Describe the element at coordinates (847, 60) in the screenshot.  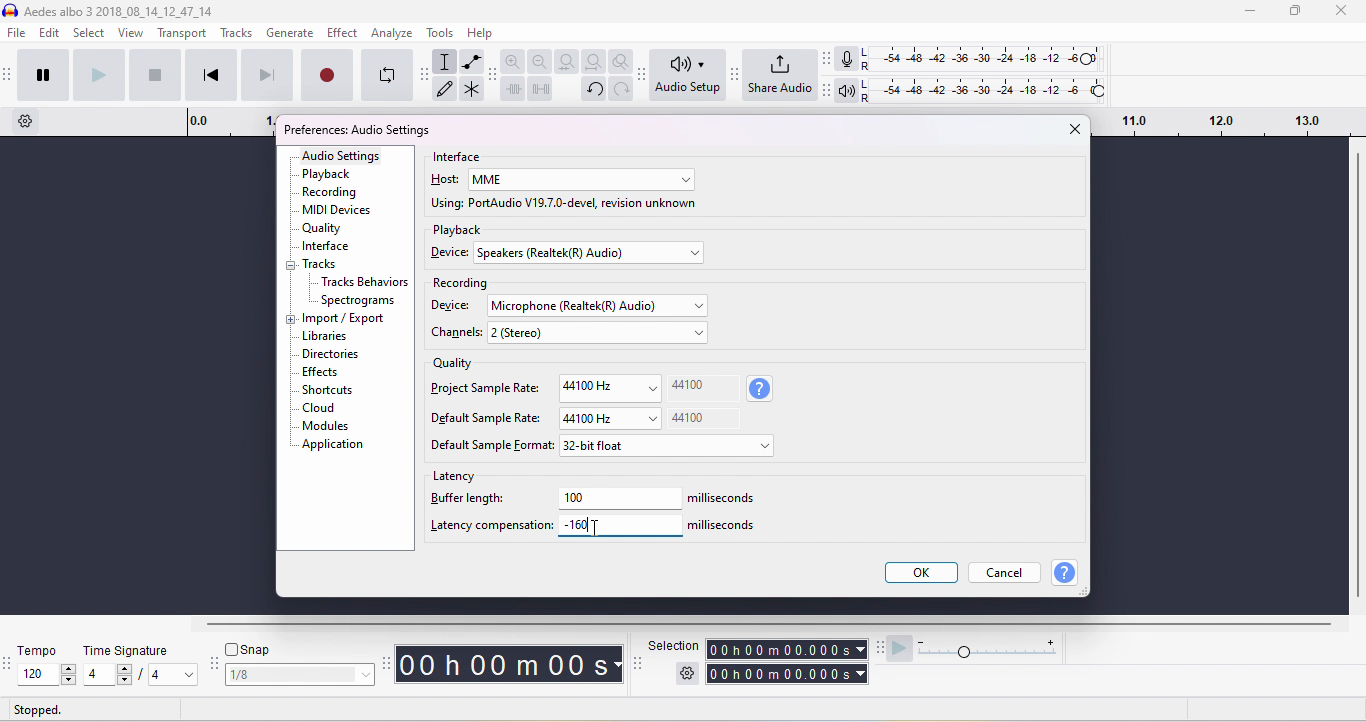
I see `recording meter` at that location.